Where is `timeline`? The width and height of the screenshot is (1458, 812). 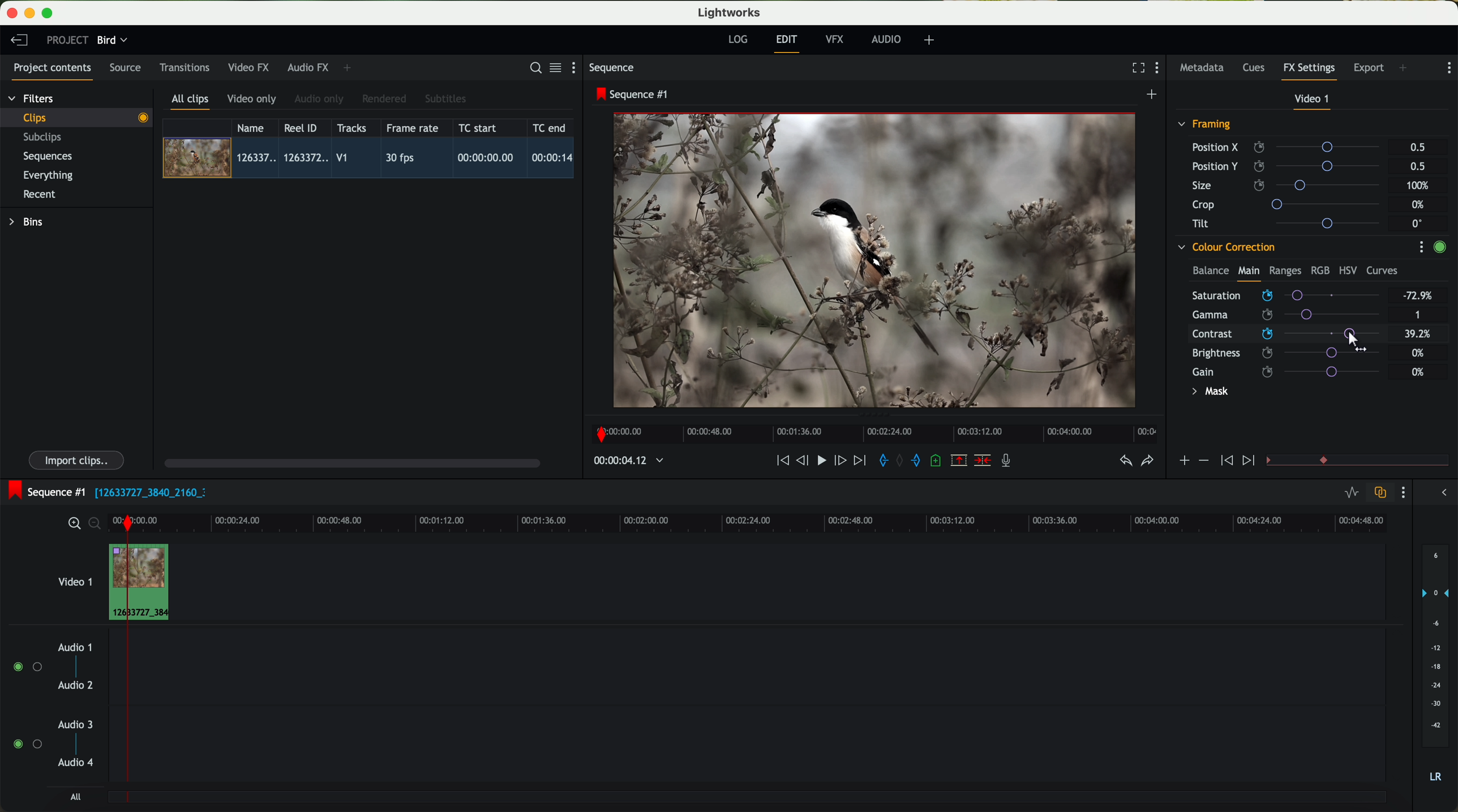
timeline is located at coordinates (871, 431).